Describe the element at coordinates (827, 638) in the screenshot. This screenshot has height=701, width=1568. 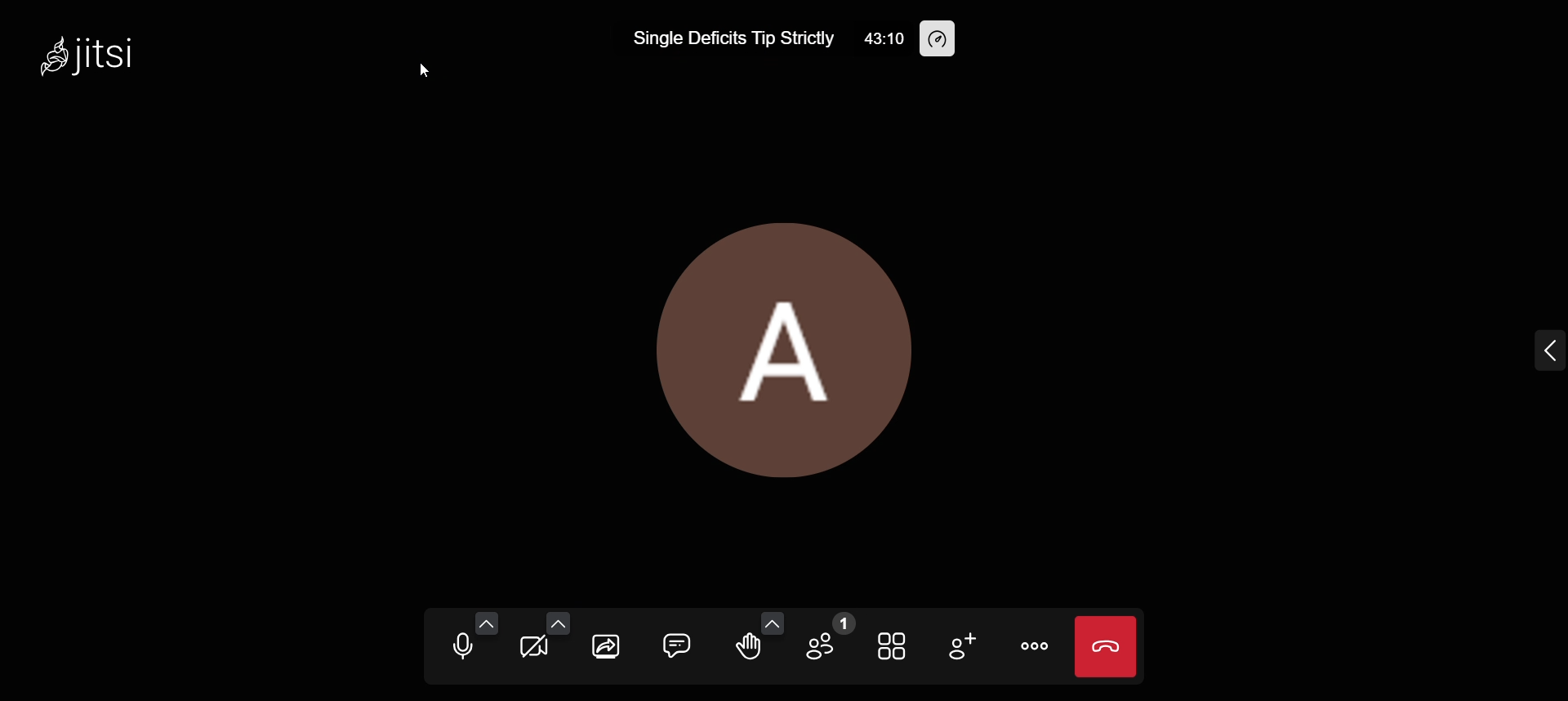
I see `participants` at that location.